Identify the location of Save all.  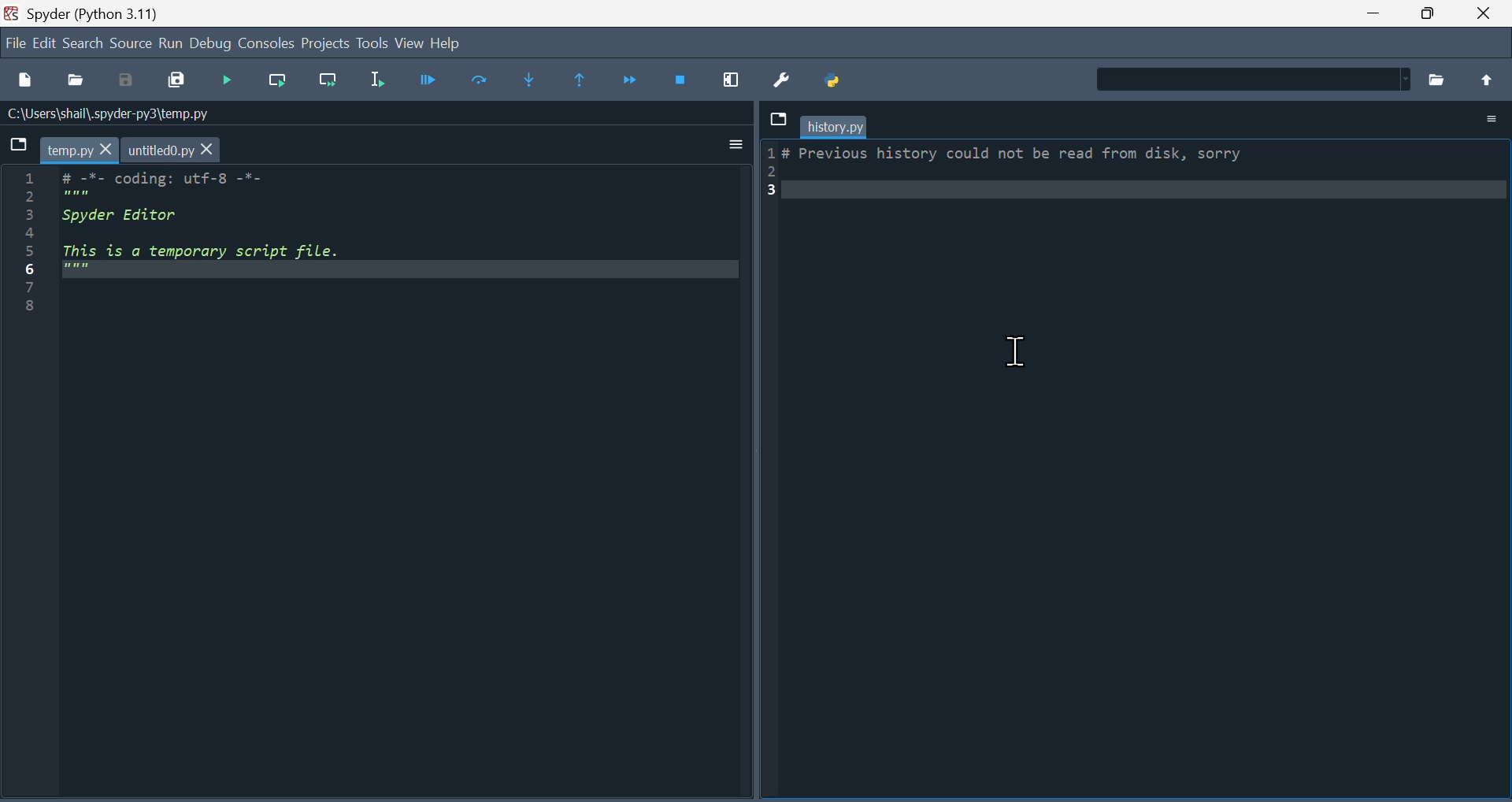
(181, 79).